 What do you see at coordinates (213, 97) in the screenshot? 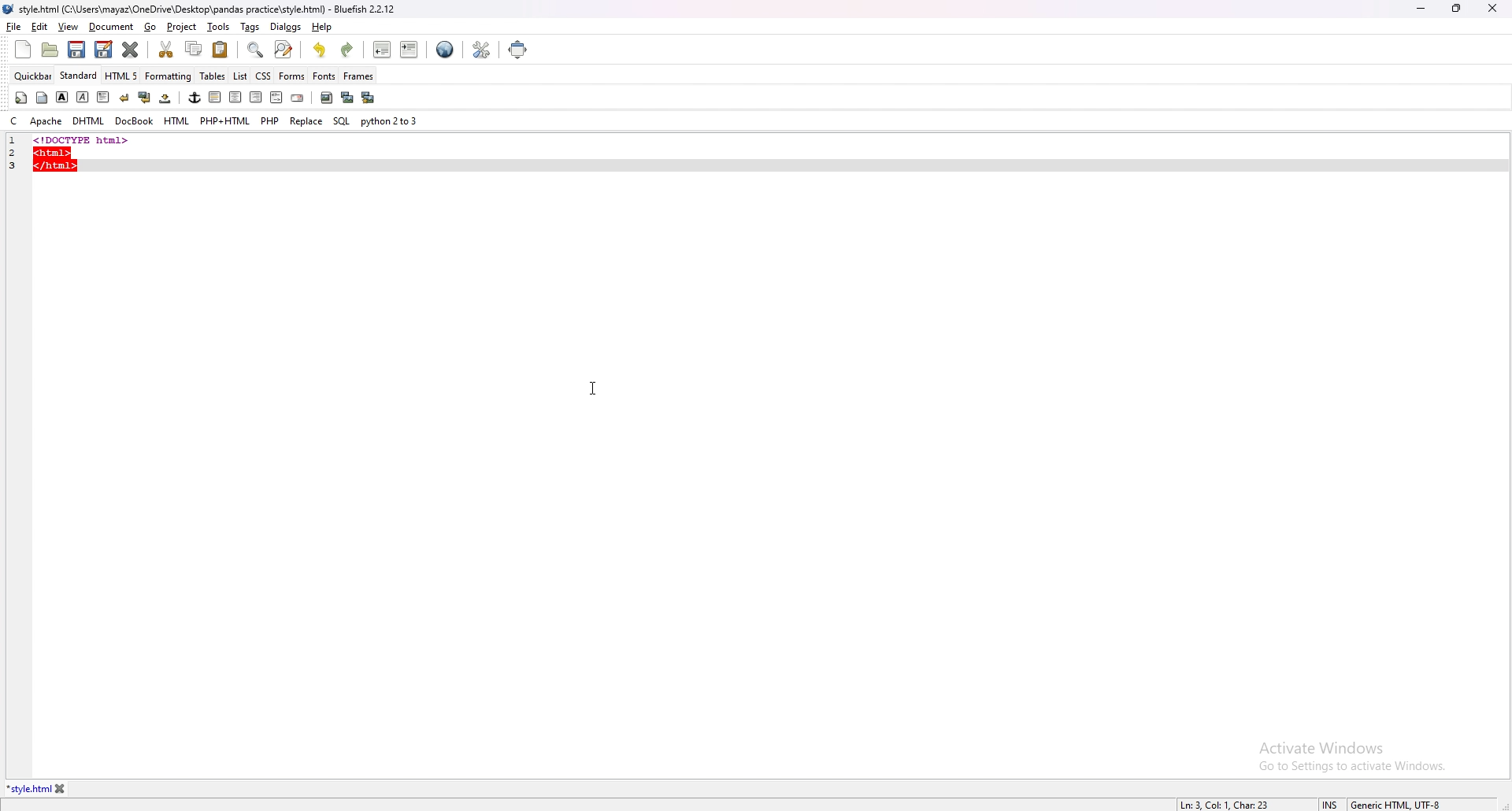
I see `left indent` at bounding box center [213, 97].